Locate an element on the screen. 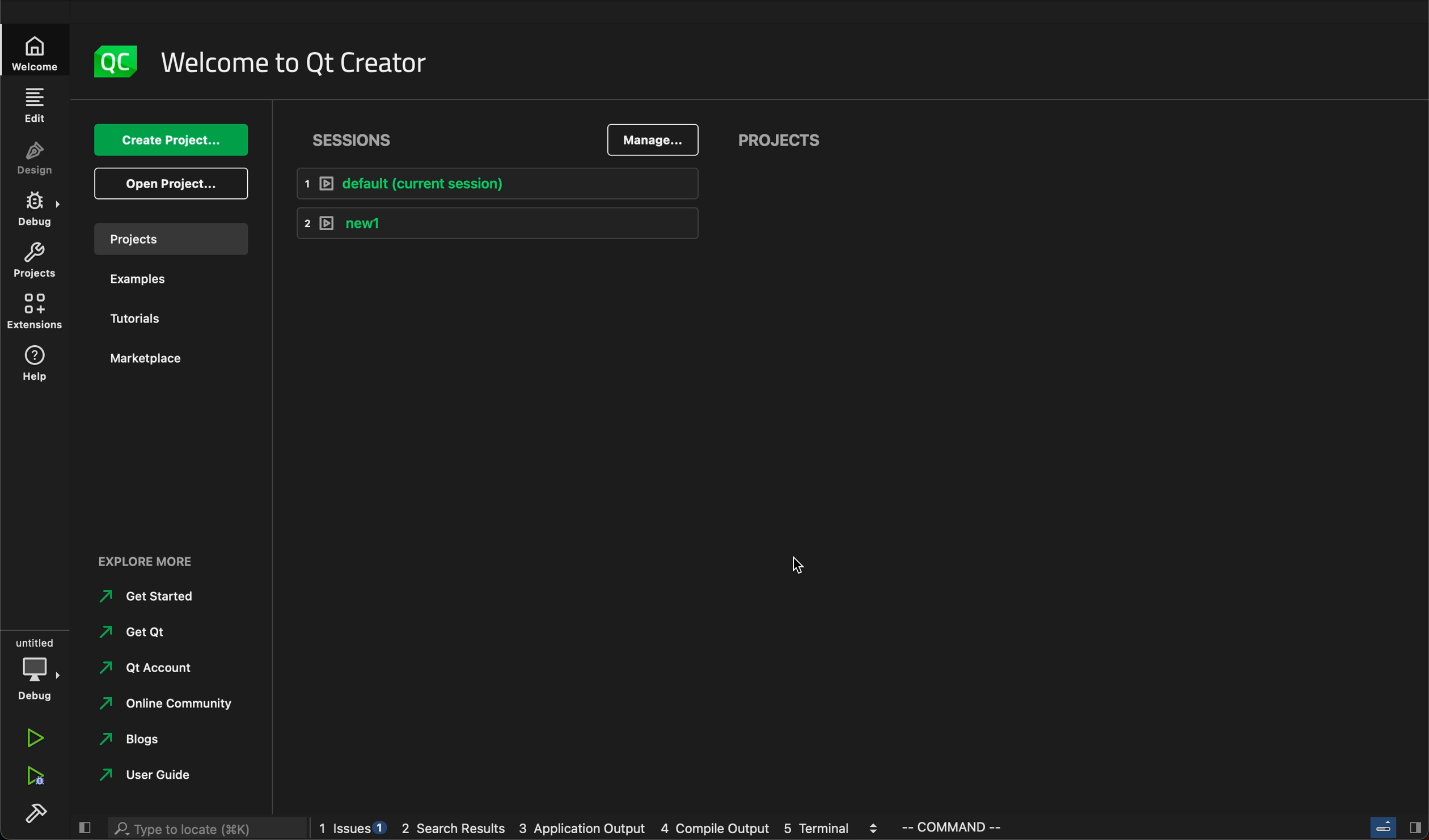  projects is located at coordinates (35, 261).